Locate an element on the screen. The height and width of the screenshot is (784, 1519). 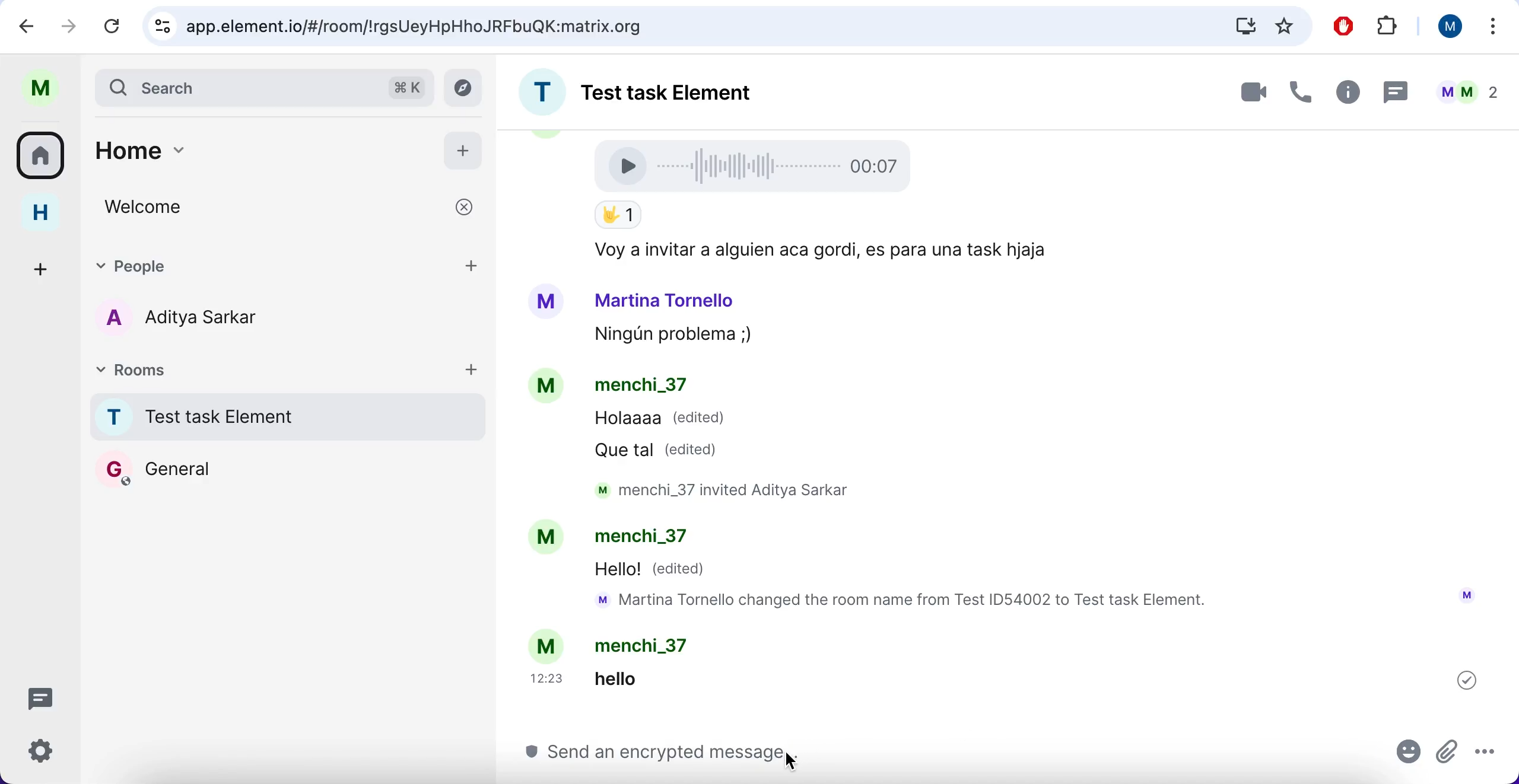
Avatar is located at coordinates (546, 302).